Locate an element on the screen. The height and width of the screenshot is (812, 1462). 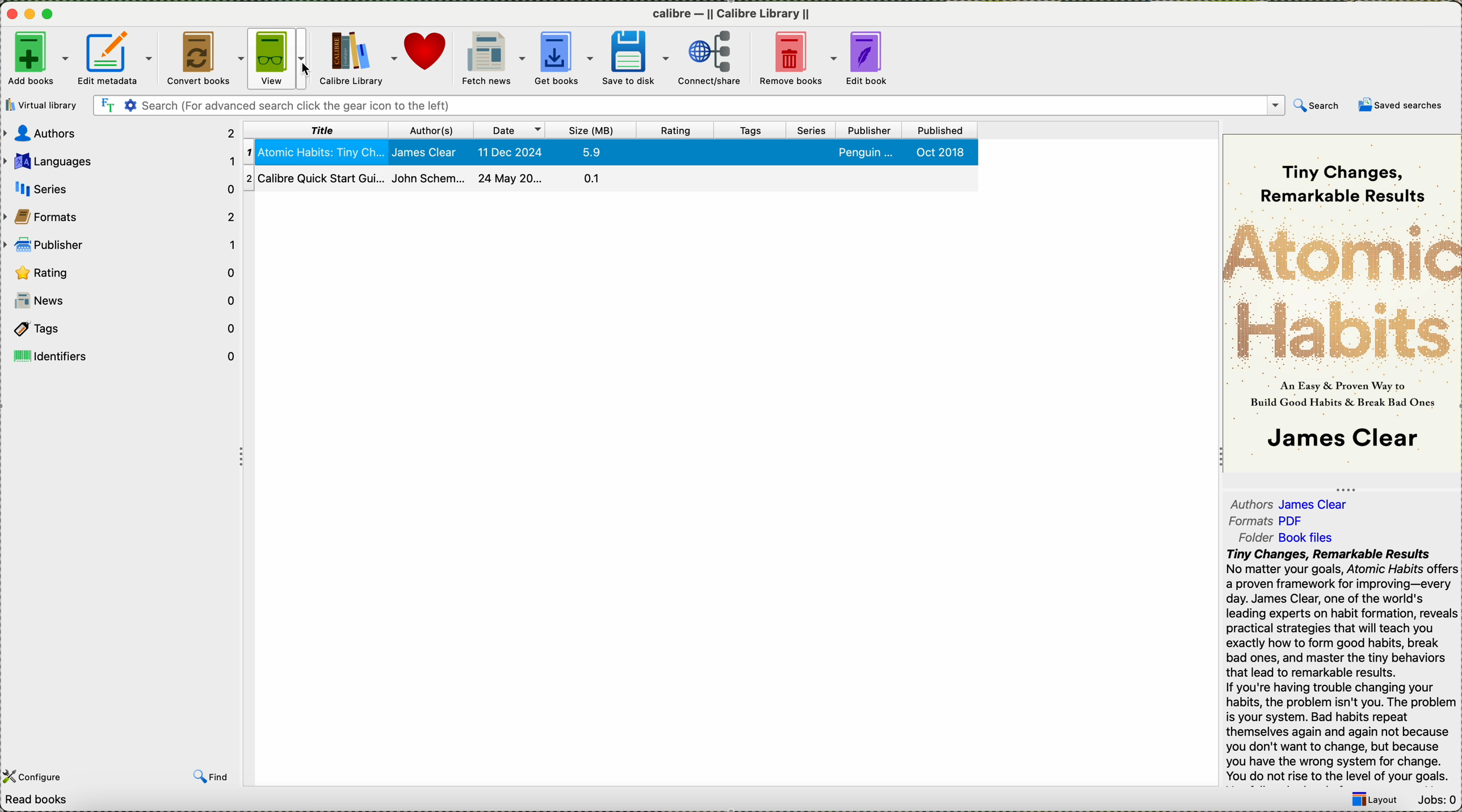
series is located at coordinates (121, 187).